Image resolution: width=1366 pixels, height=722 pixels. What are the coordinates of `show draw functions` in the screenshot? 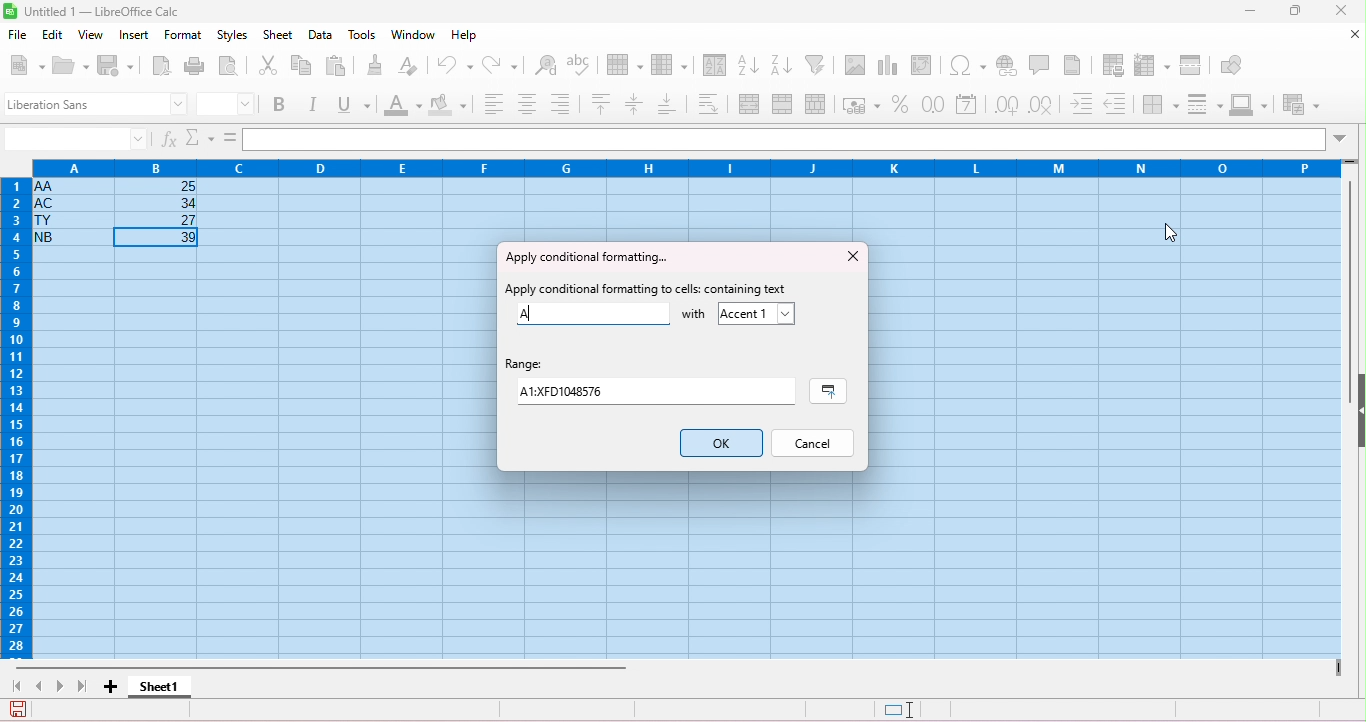 It's located at (1232, 63).